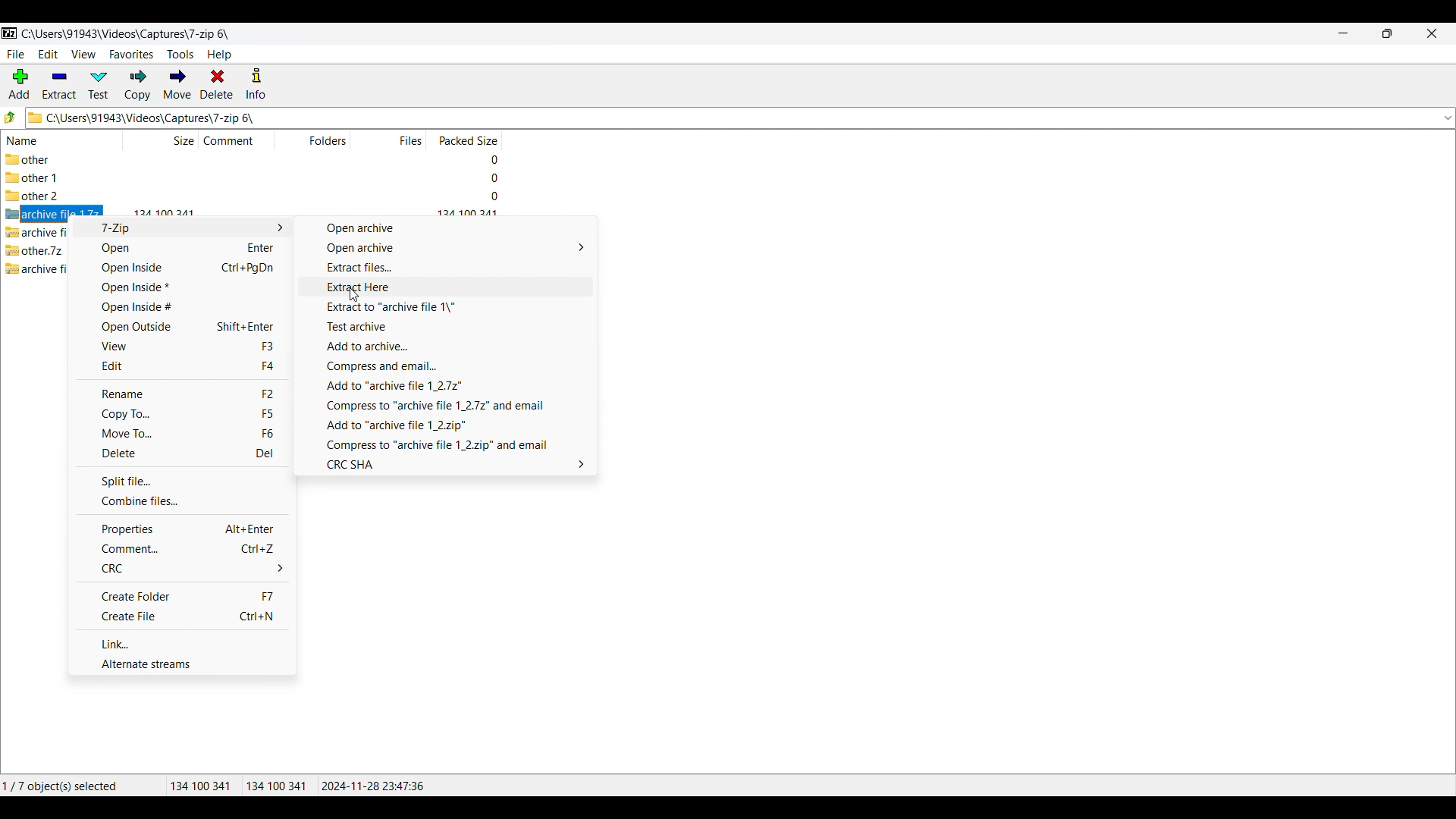  What do you see at coordinates (182, 643) in the screenshot?
I see `Link` at bounding box center [182, 643].